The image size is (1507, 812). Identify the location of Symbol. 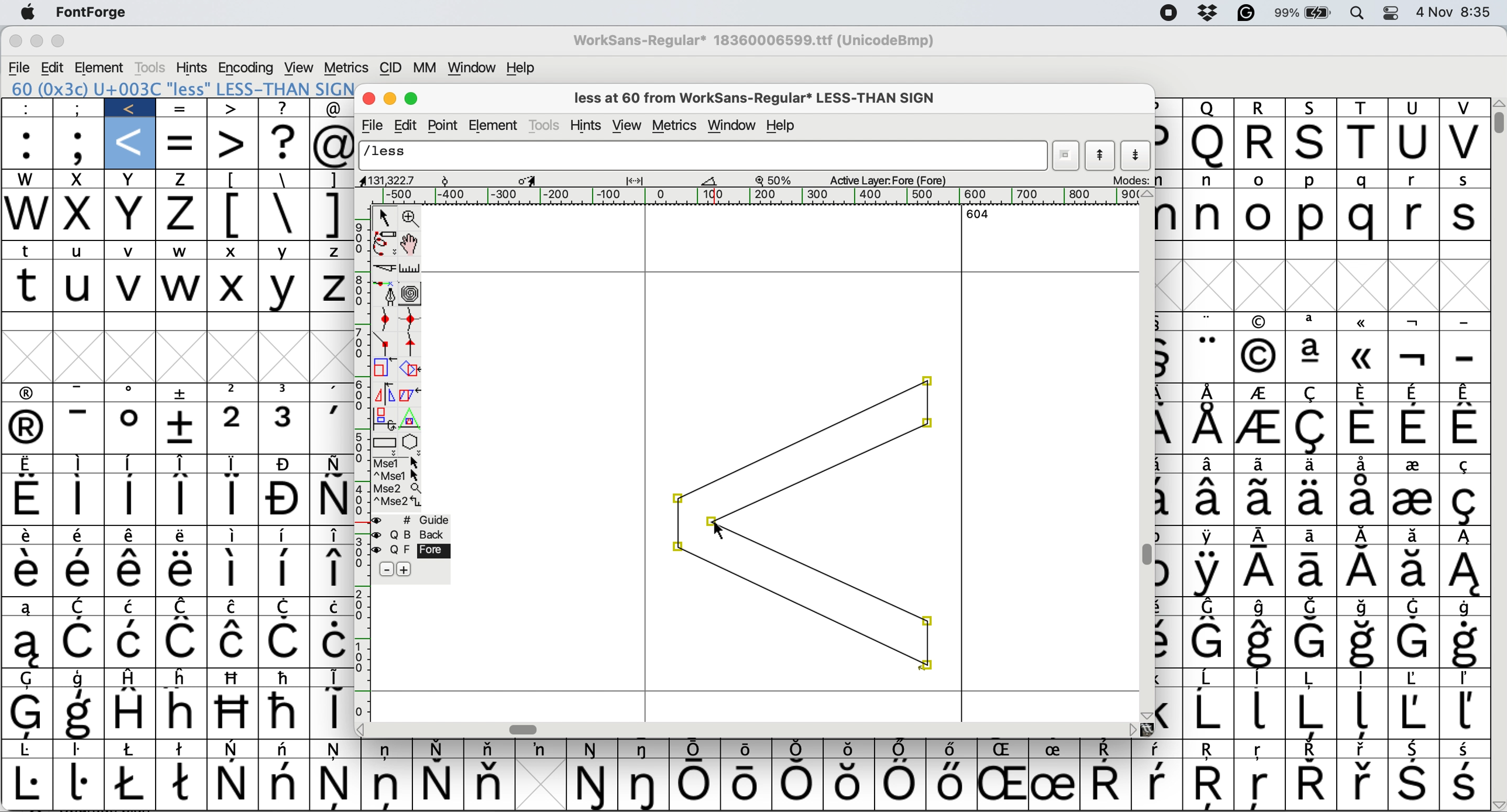
(1416, 535).